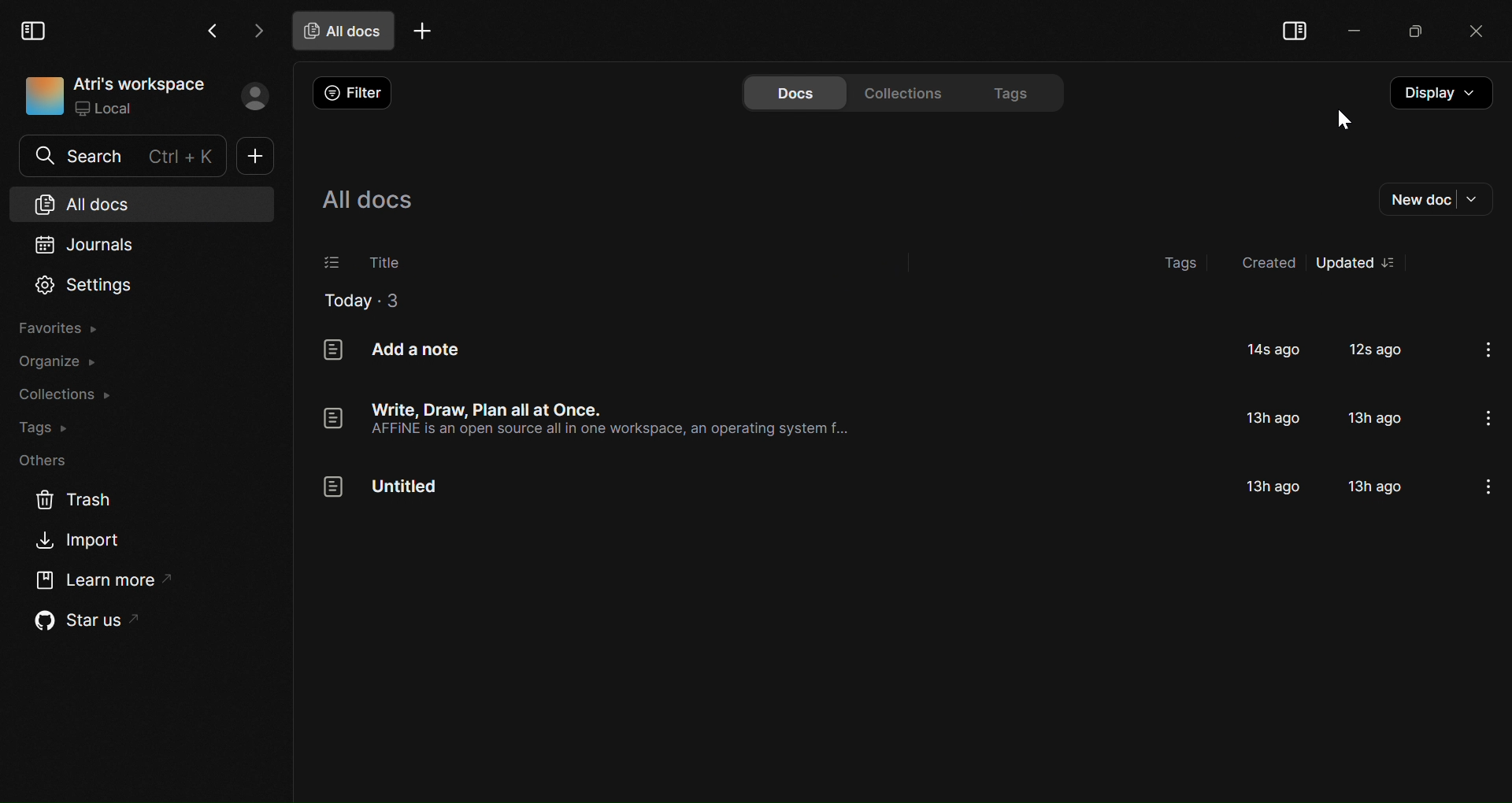 This screenshot has height=803, width=1512. I want to click on Profile, so click(254, 96).